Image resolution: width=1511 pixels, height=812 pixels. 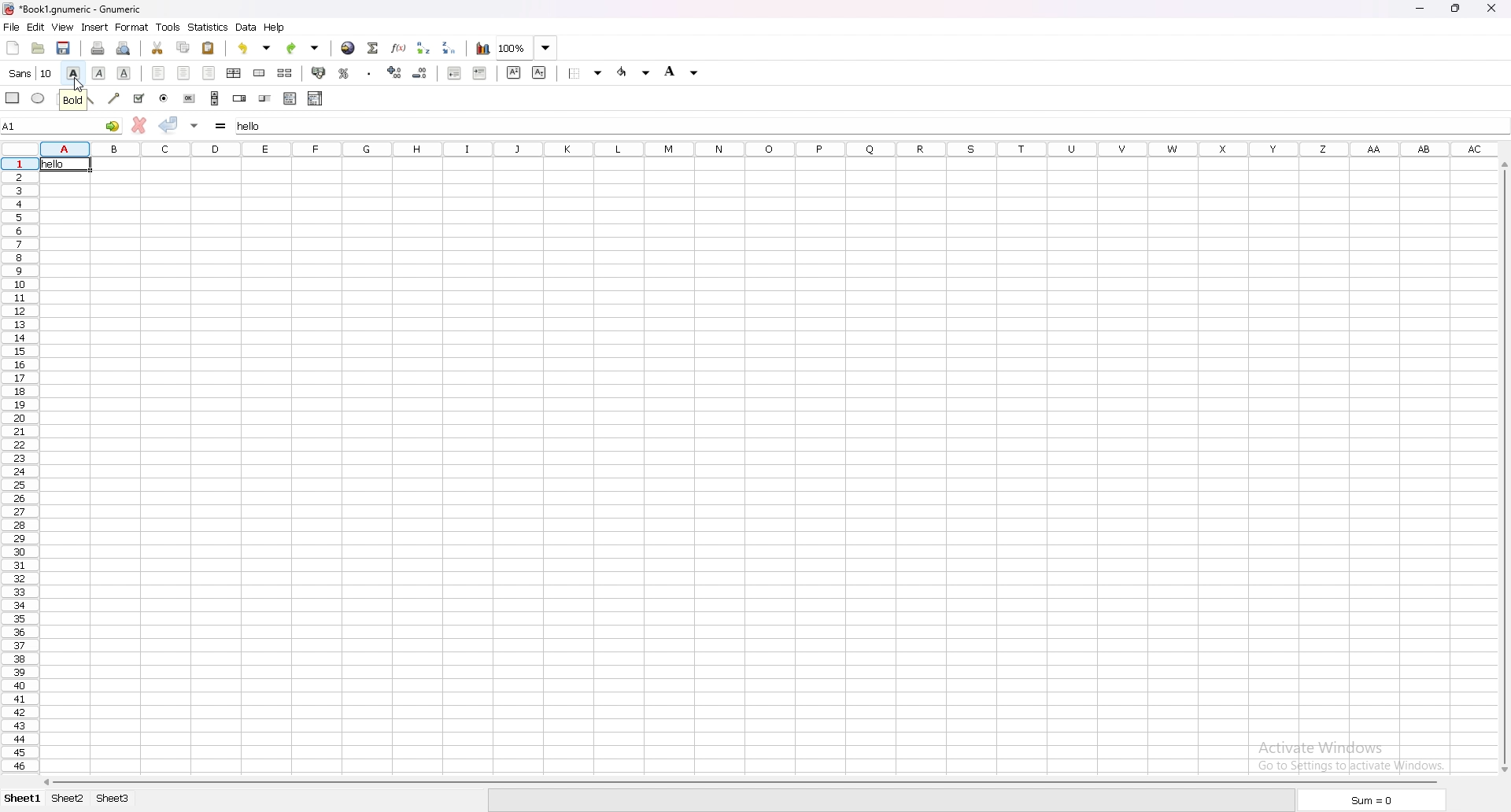 I want to click on bold, so click(x=75, y=72).